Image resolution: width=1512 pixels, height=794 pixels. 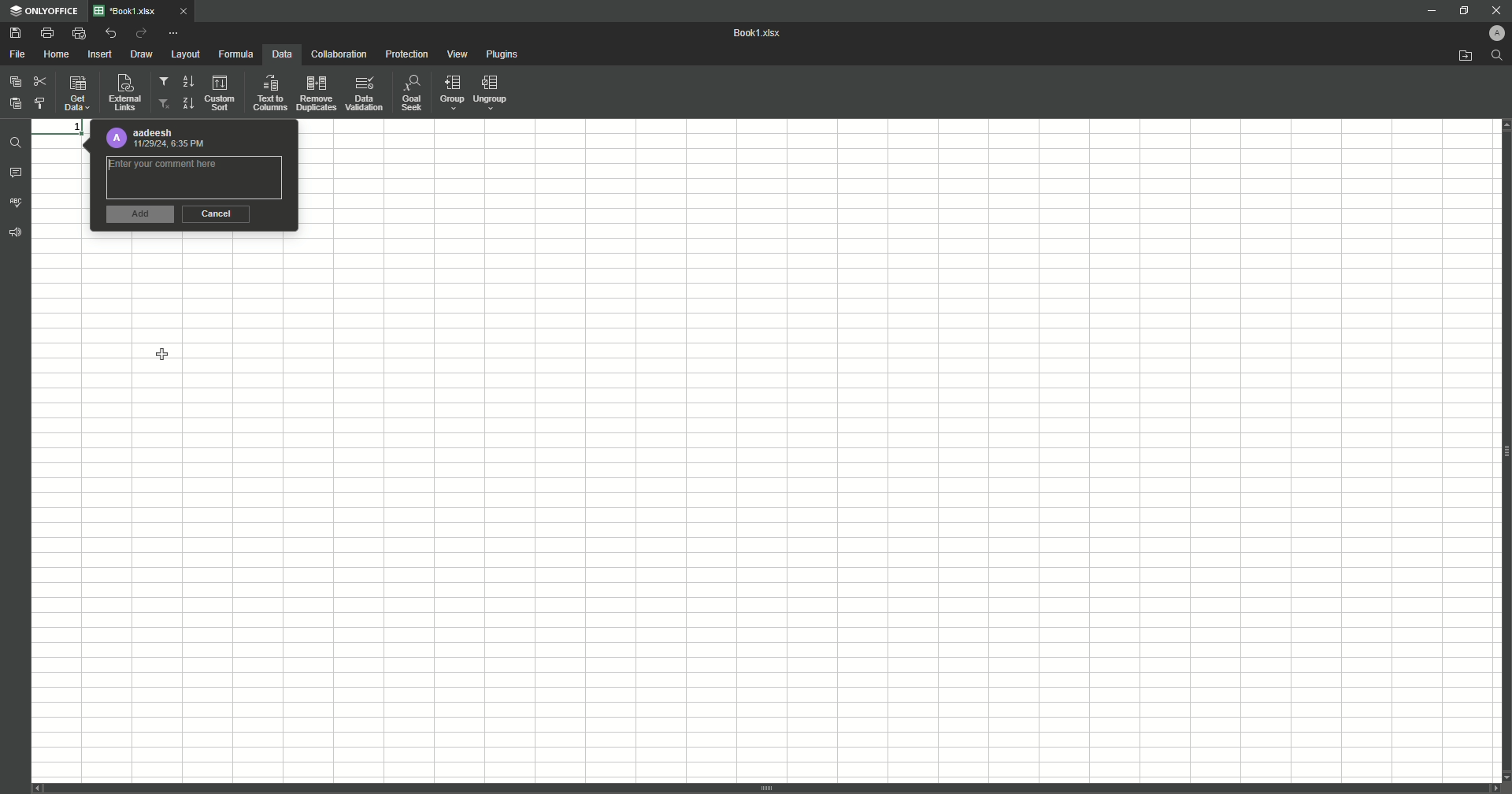 I want to click on Remove Duplicates, so click(x=316, y=93).